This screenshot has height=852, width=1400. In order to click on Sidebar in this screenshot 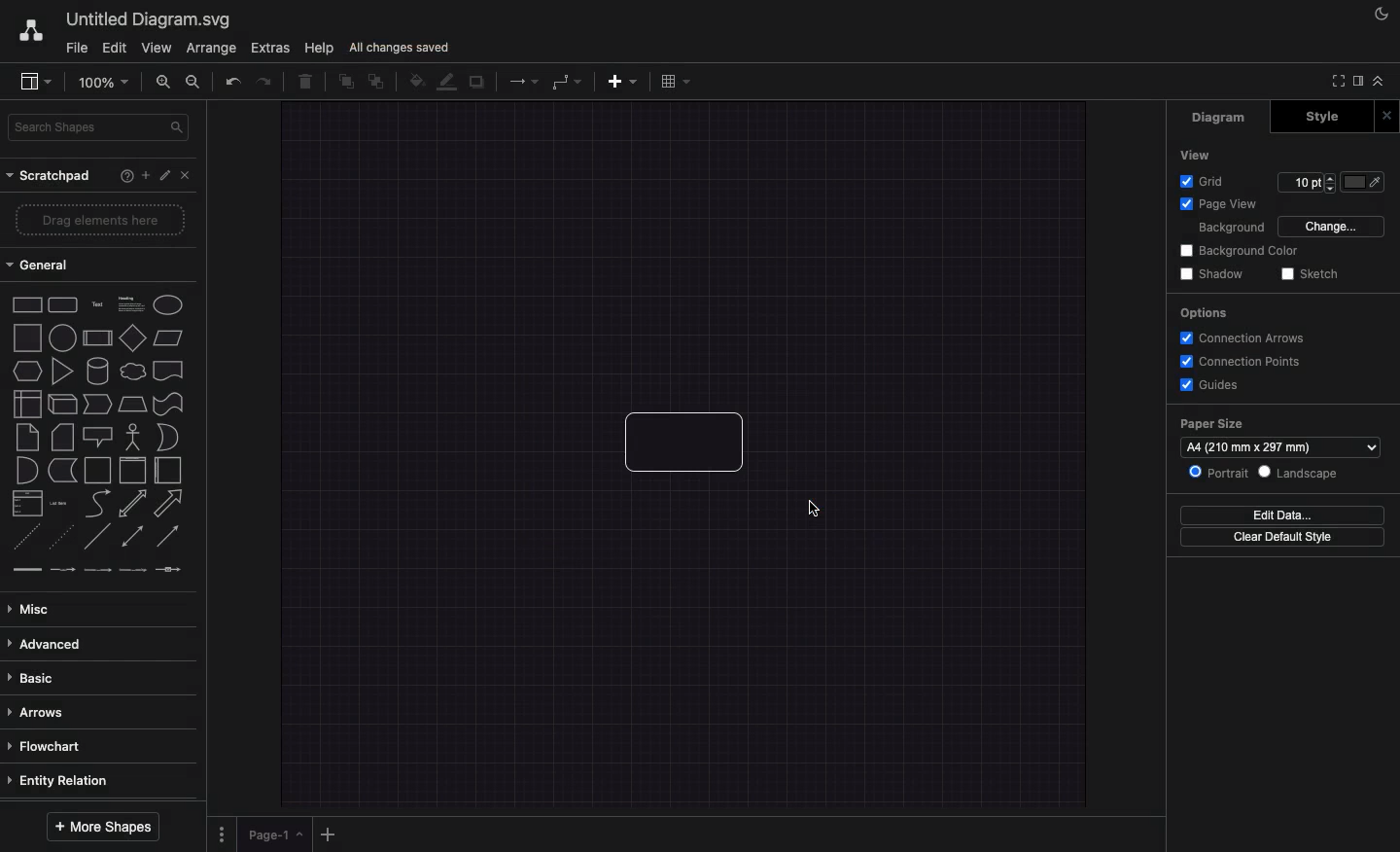, I will do `click(1356, 83)`.